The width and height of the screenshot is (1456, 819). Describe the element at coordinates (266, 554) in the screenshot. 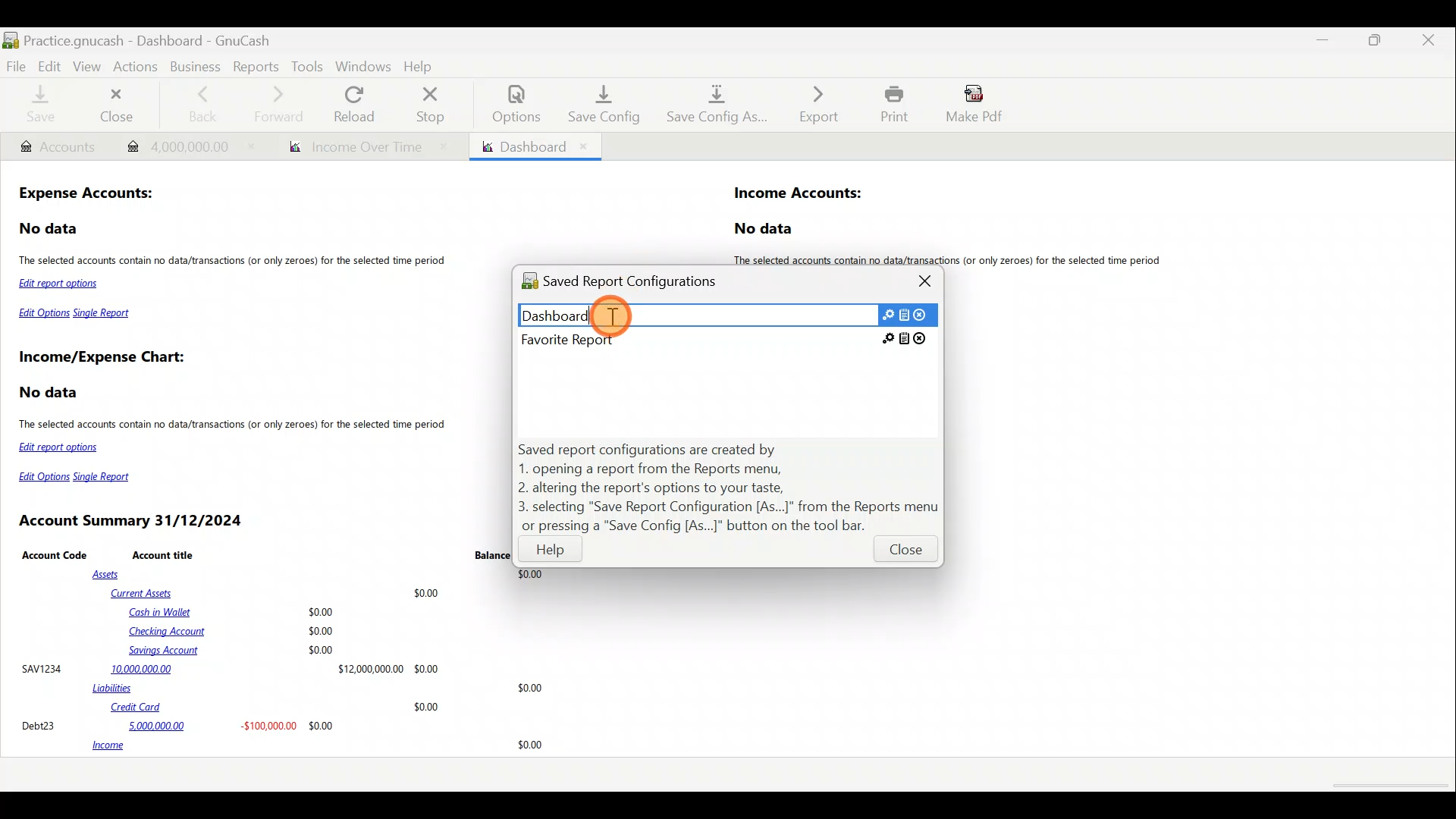

I see `Account Code Account title Balance` at that location.